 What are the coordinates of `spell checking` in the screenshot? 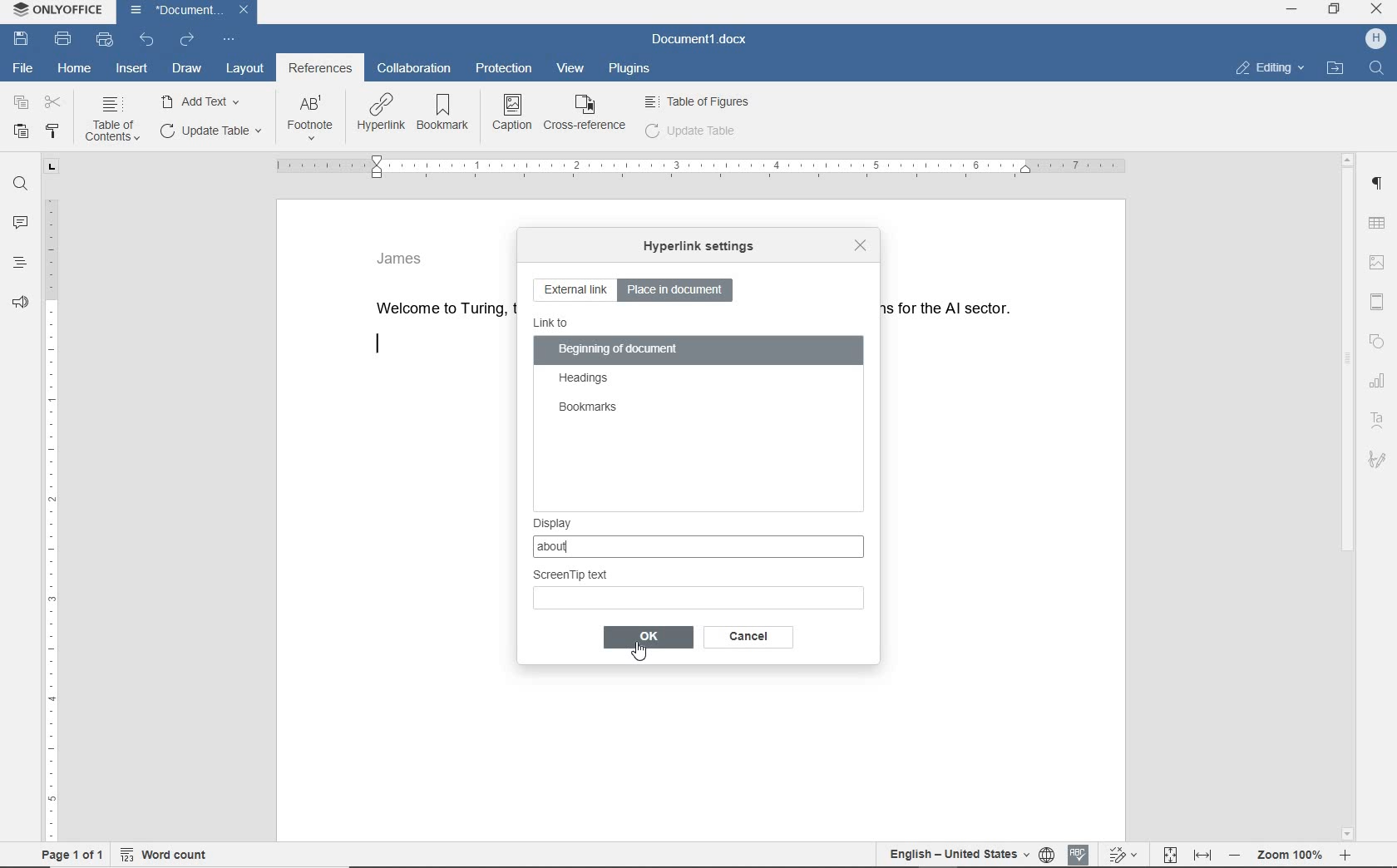 It's located at (1079, 854).